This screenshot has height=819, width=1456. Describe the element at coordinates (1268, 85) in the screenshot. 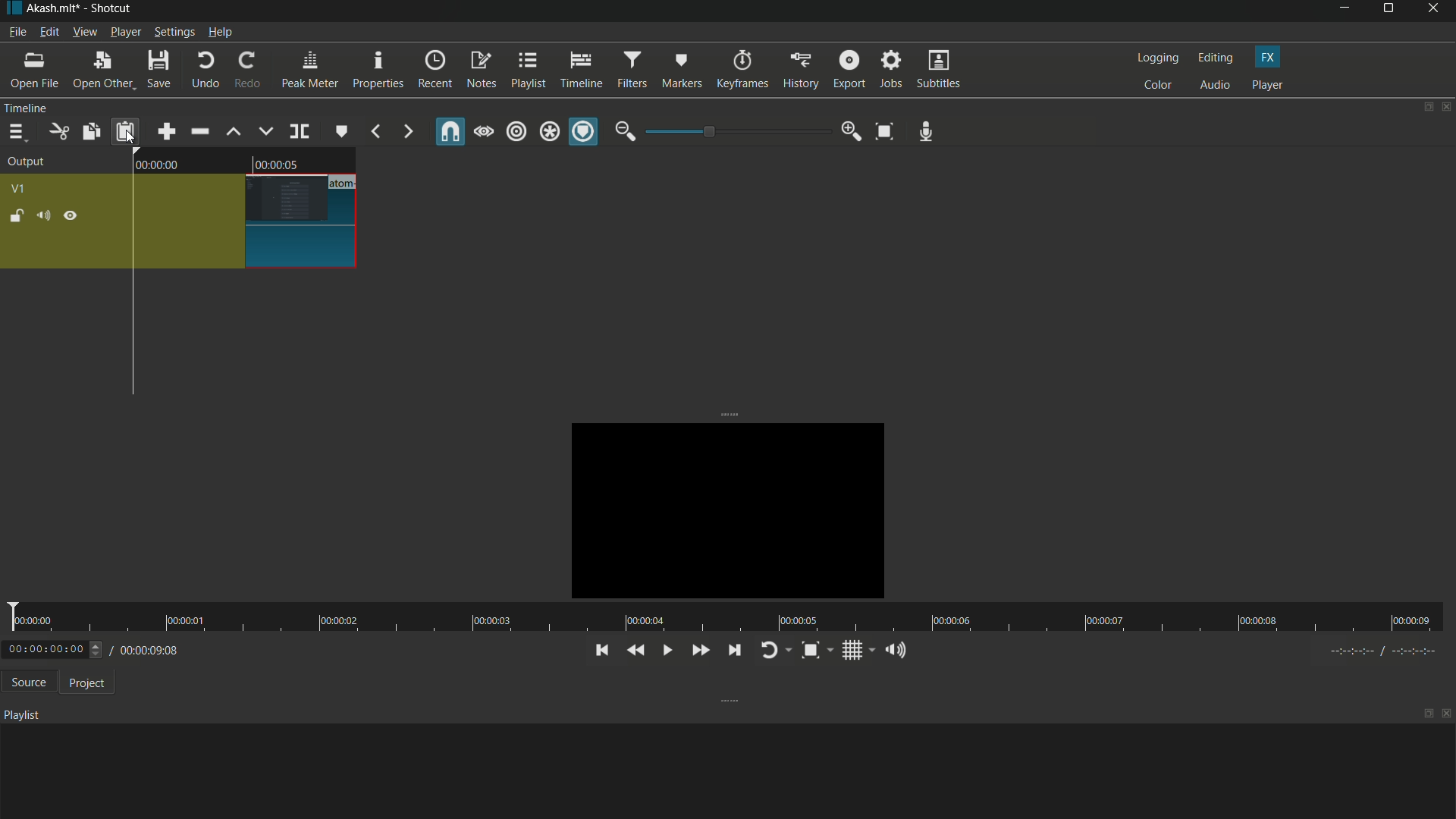

I see `player` at that location.